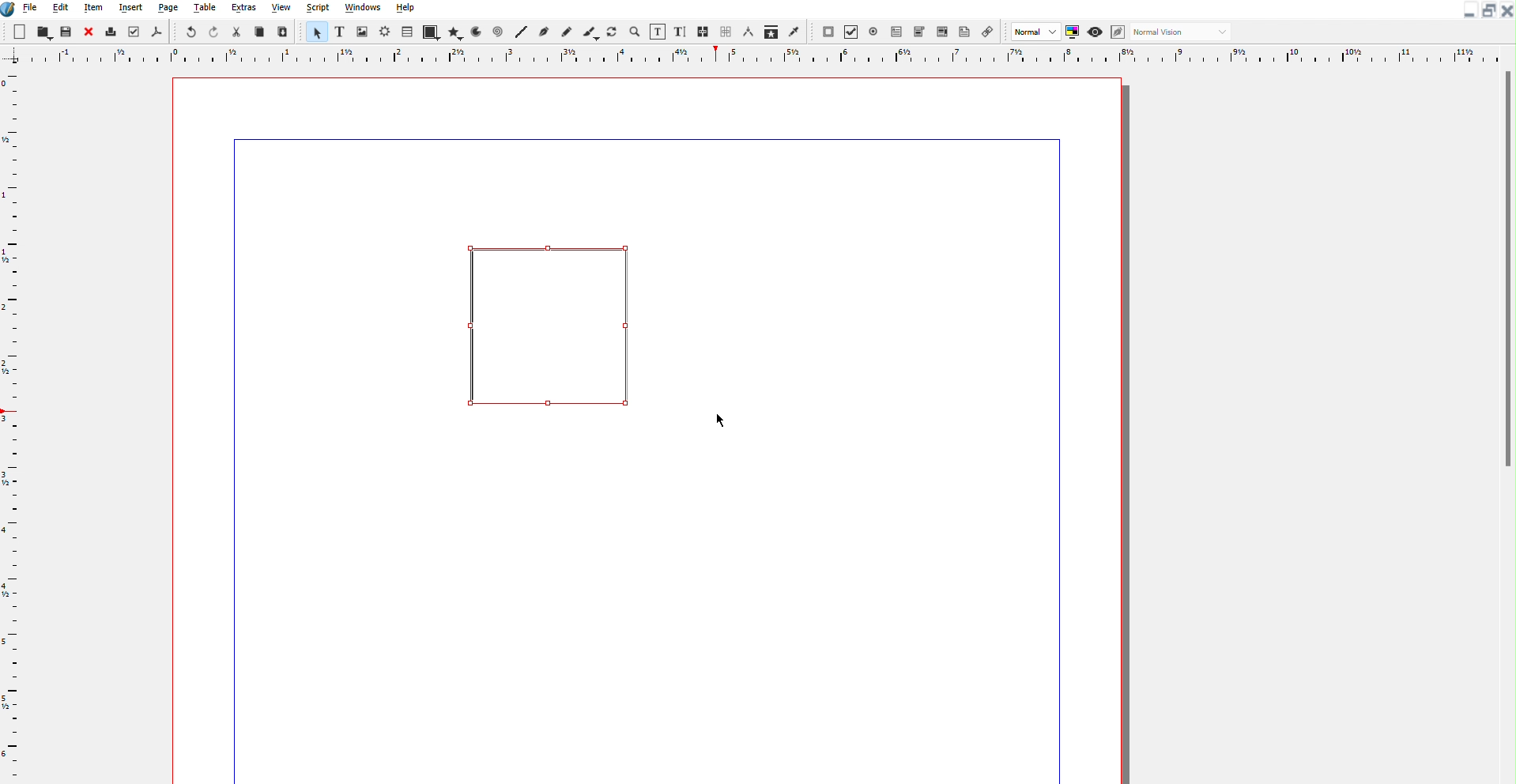  Describe the element at coordinates (564, 32) in the screenshot. I see `freehand line` at that location.